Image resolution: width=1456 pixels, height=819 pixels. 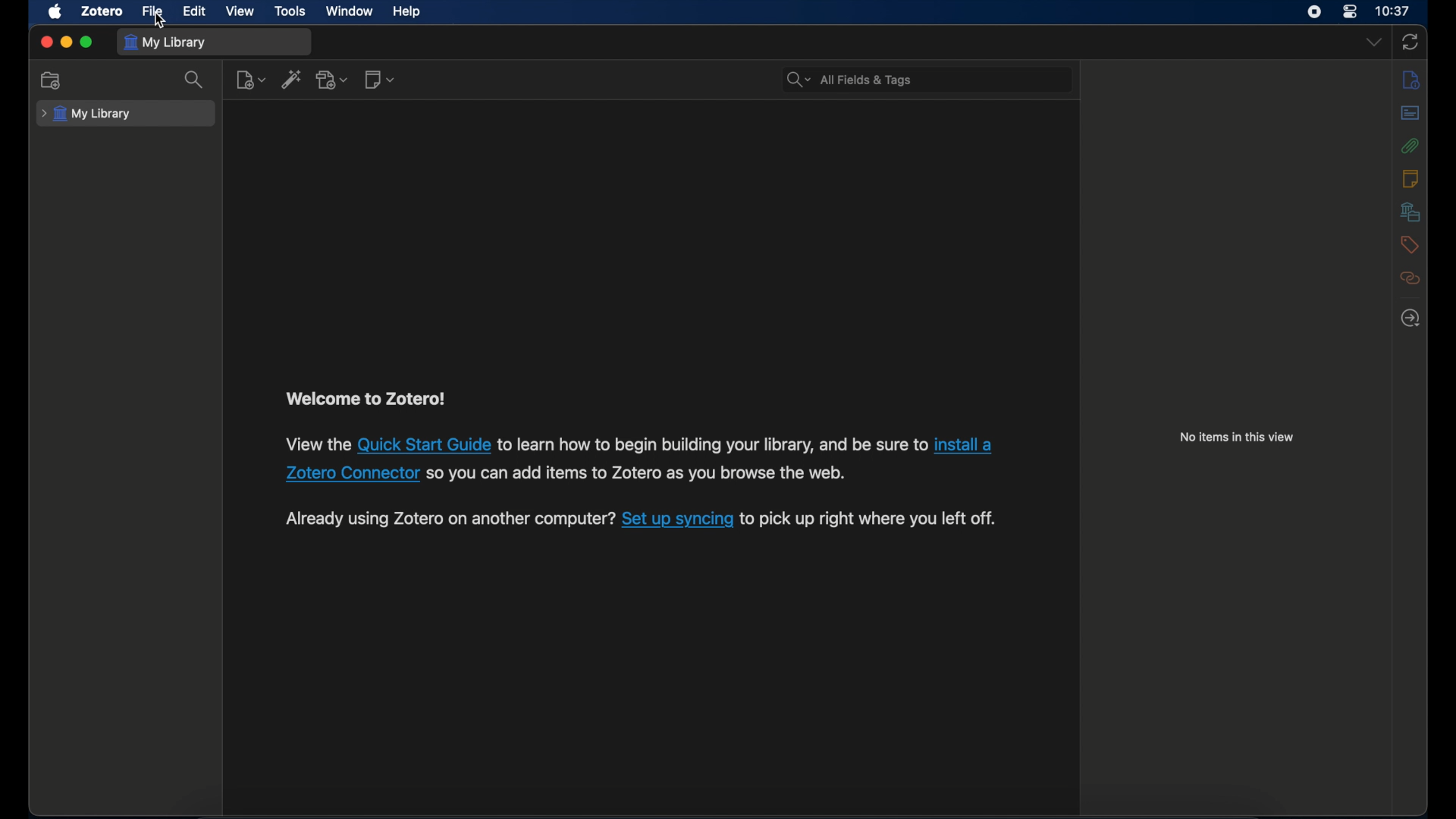 I want to click on search, so click(x=196, y=80).